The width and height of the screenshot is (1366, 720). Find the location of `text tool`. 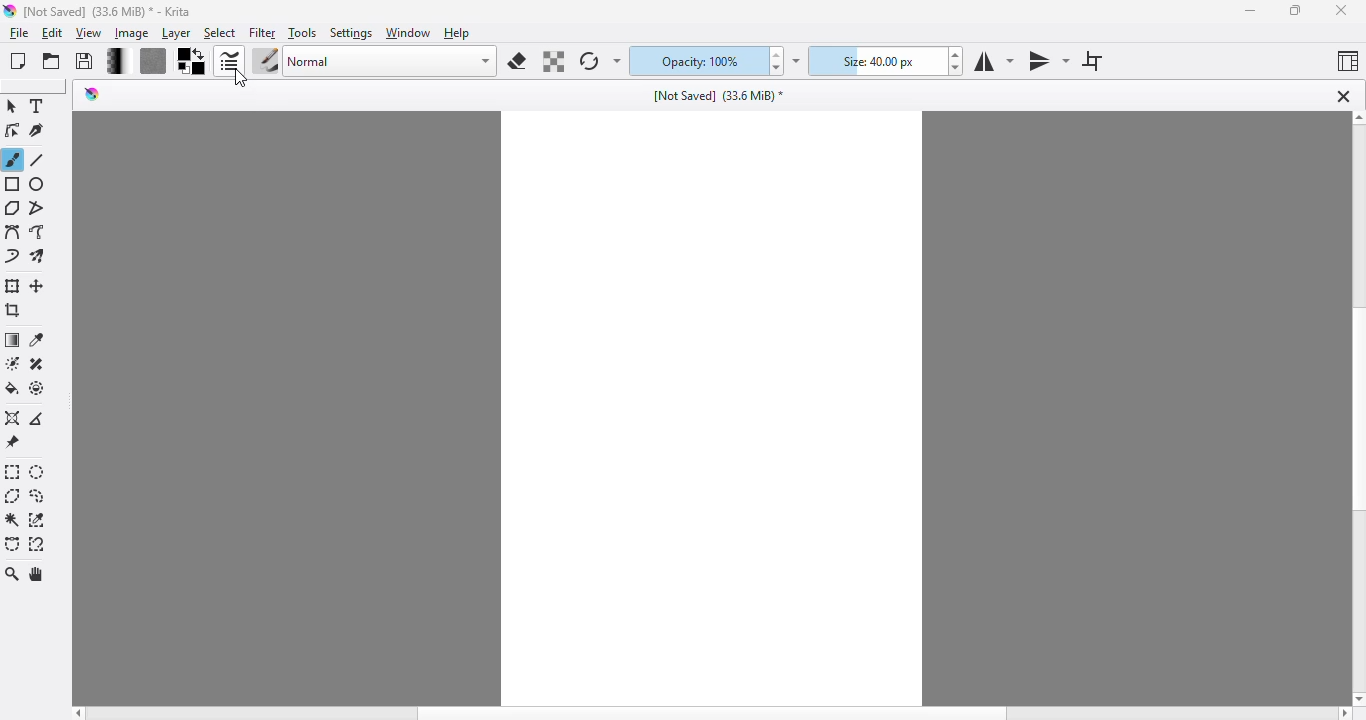

text tool is located at coordinates (39, 106).